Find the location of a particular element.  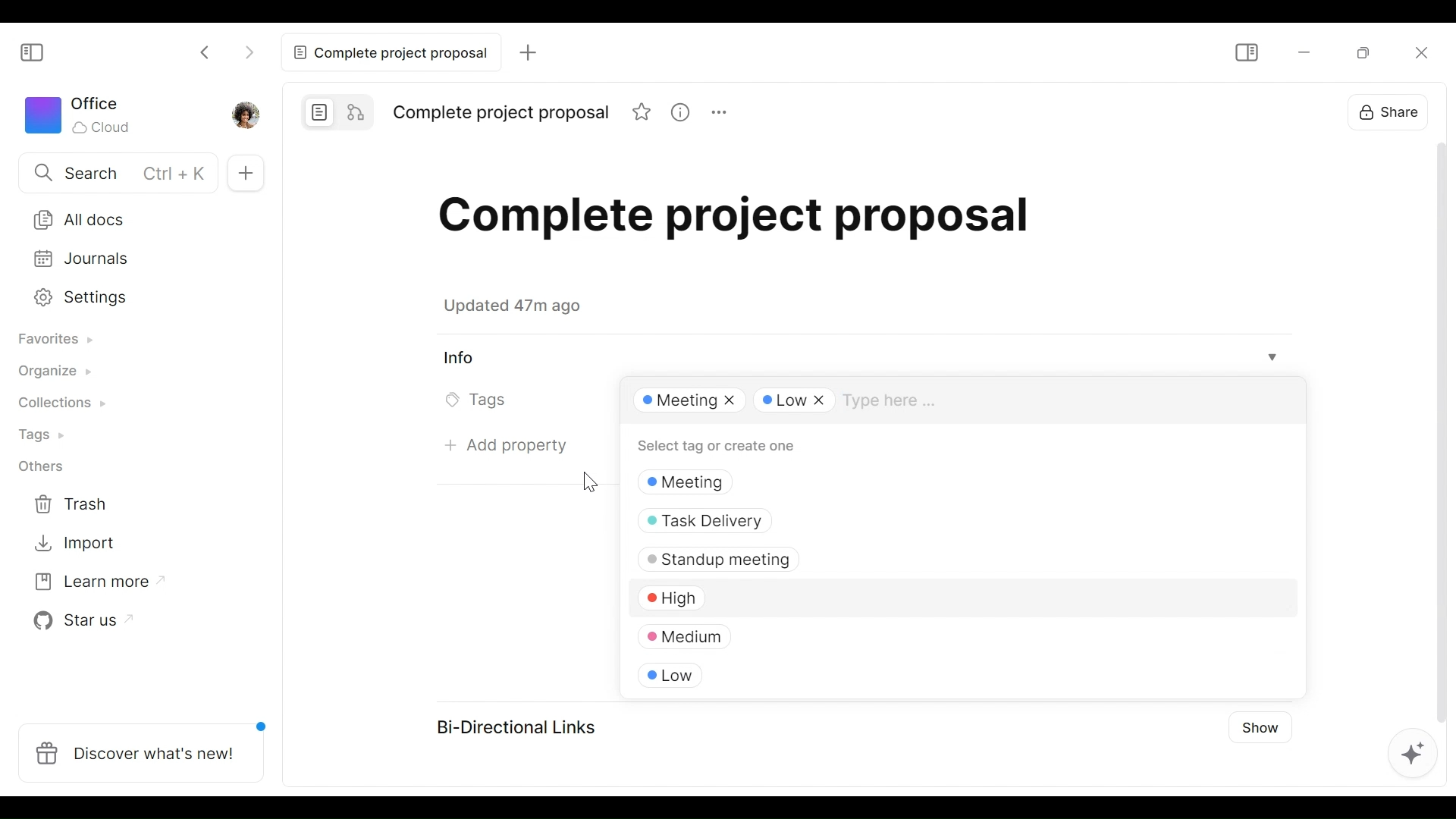

Medium is located at coordinates (799, 632).